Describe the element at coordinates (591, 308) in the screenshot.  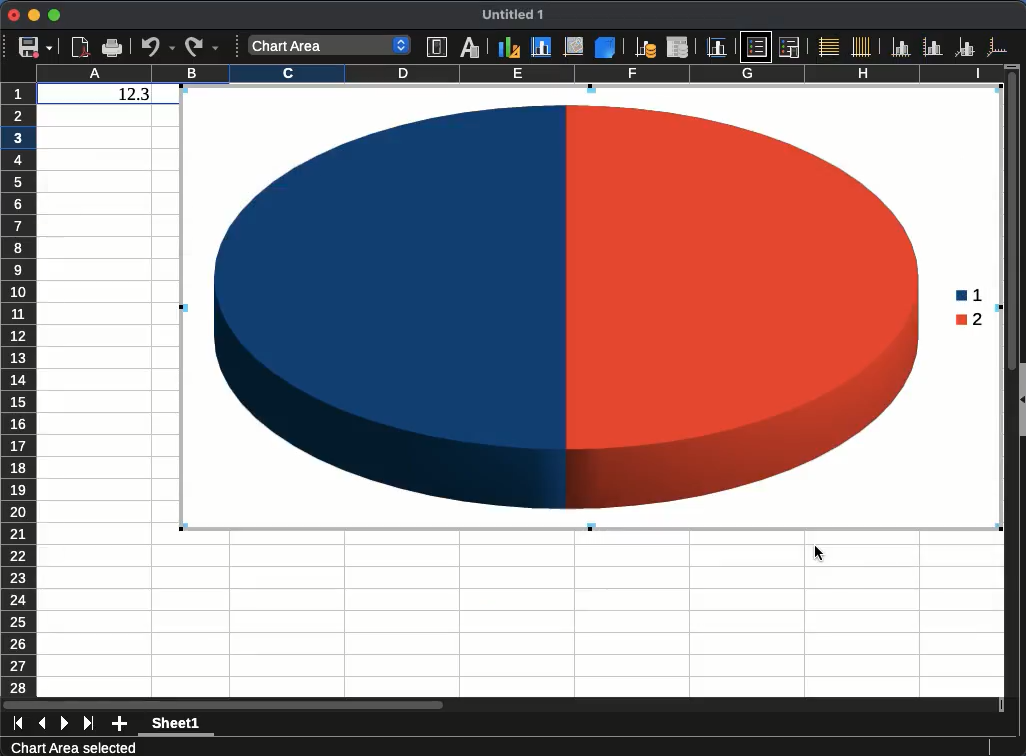
I see `3d pie chart added to the sheet` at that location.